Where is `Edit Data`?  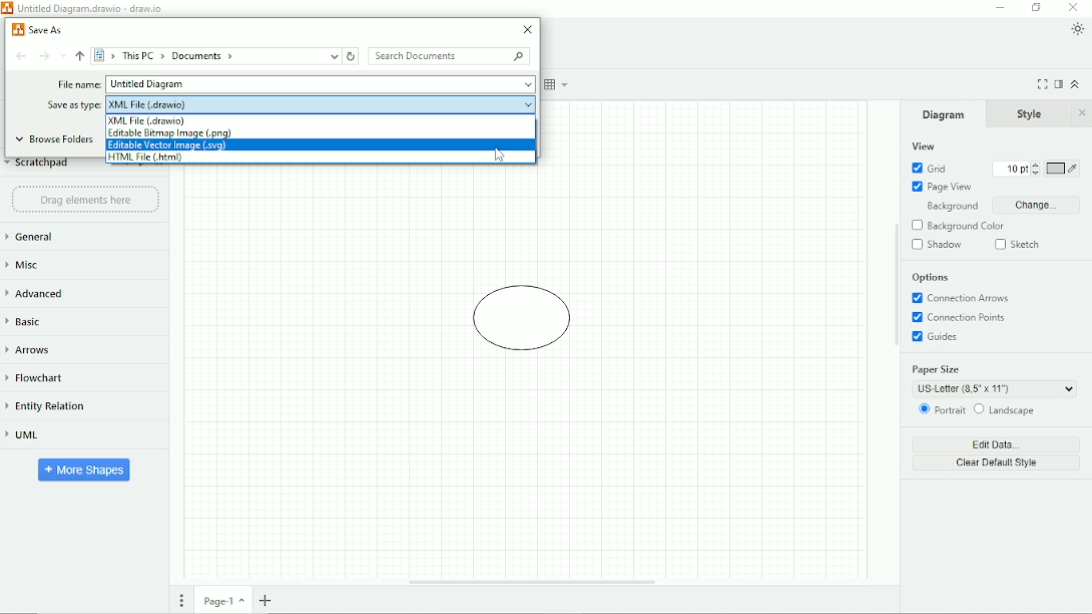
Edit Data is located at coordinates (998, 444).